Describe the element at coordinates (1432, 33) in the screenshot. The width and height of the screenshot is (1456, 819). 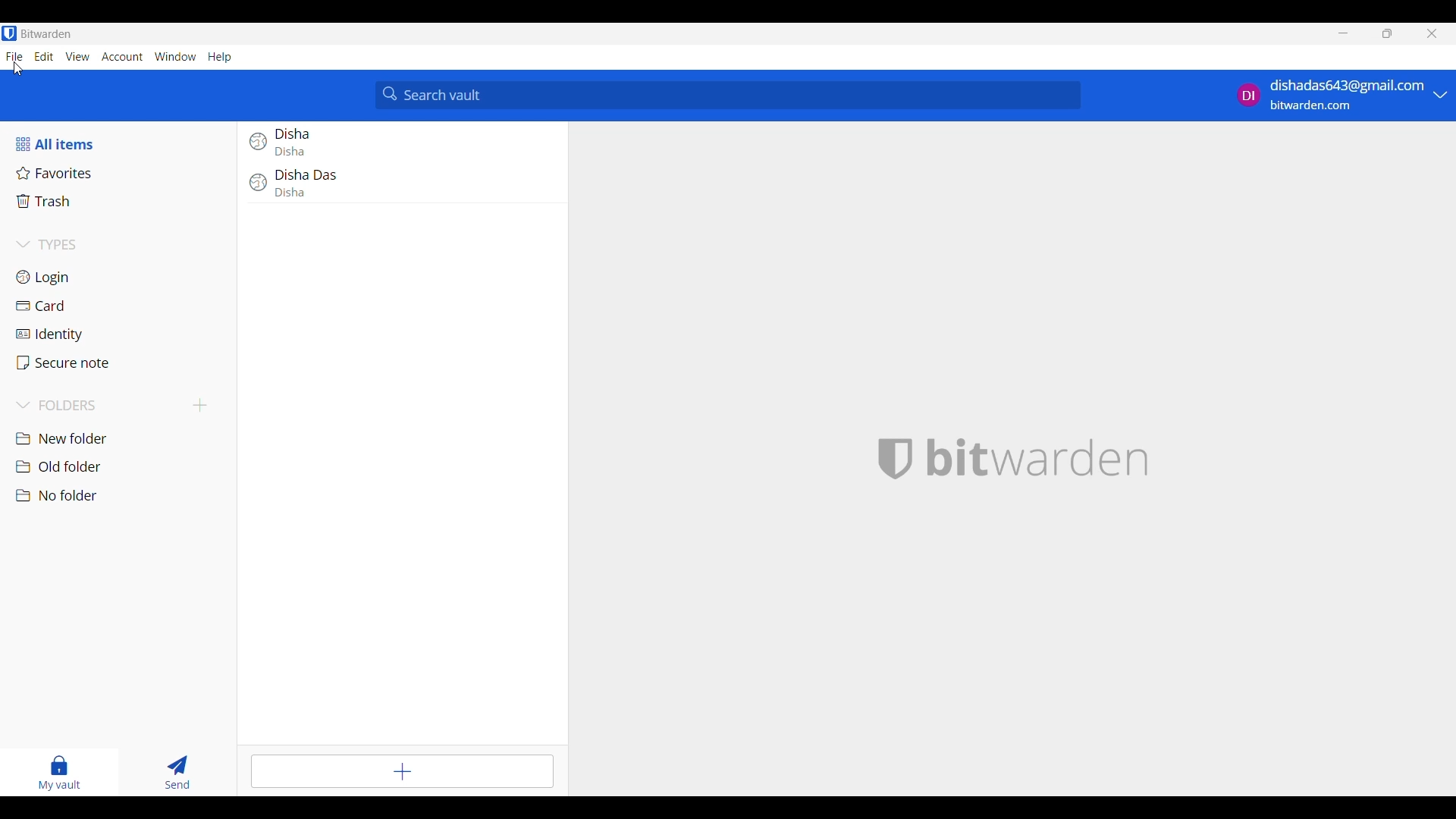
I see `Close interface` at that location.